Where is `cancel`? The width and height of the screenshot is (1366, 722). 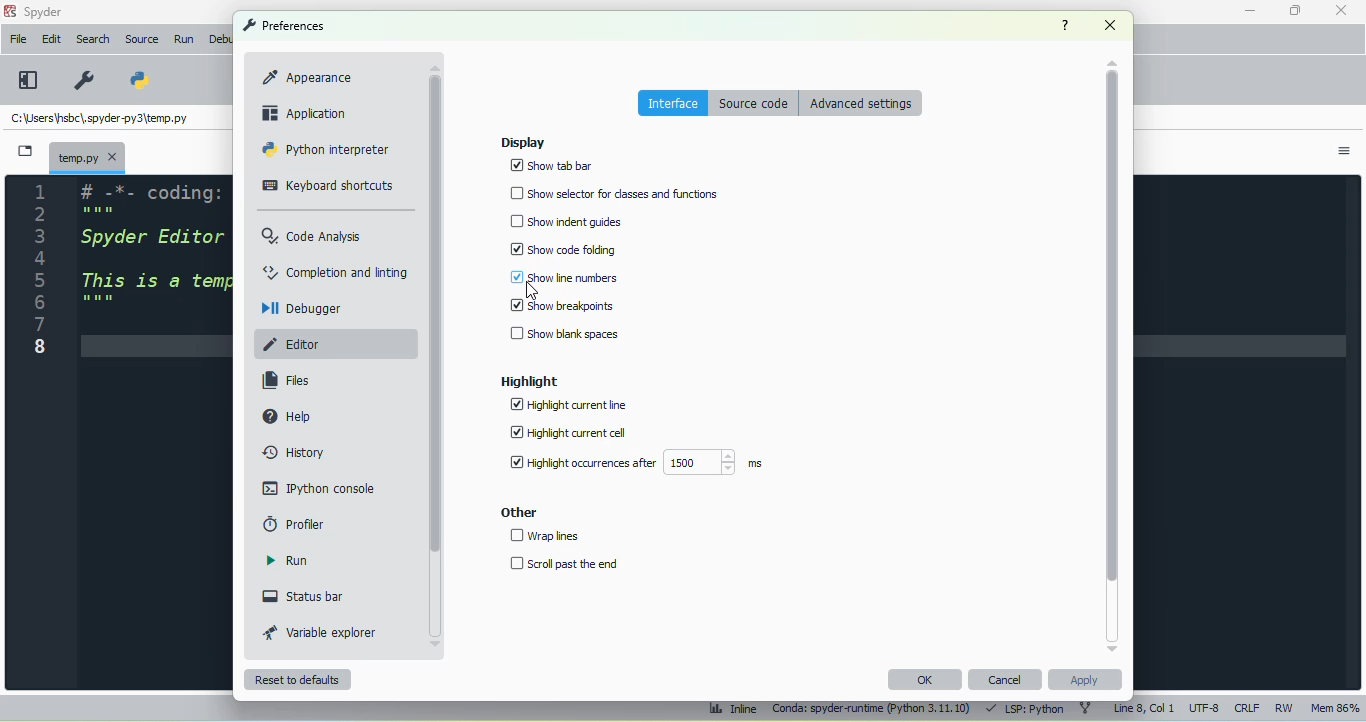
cancel is located at coordinates (1006, 680).